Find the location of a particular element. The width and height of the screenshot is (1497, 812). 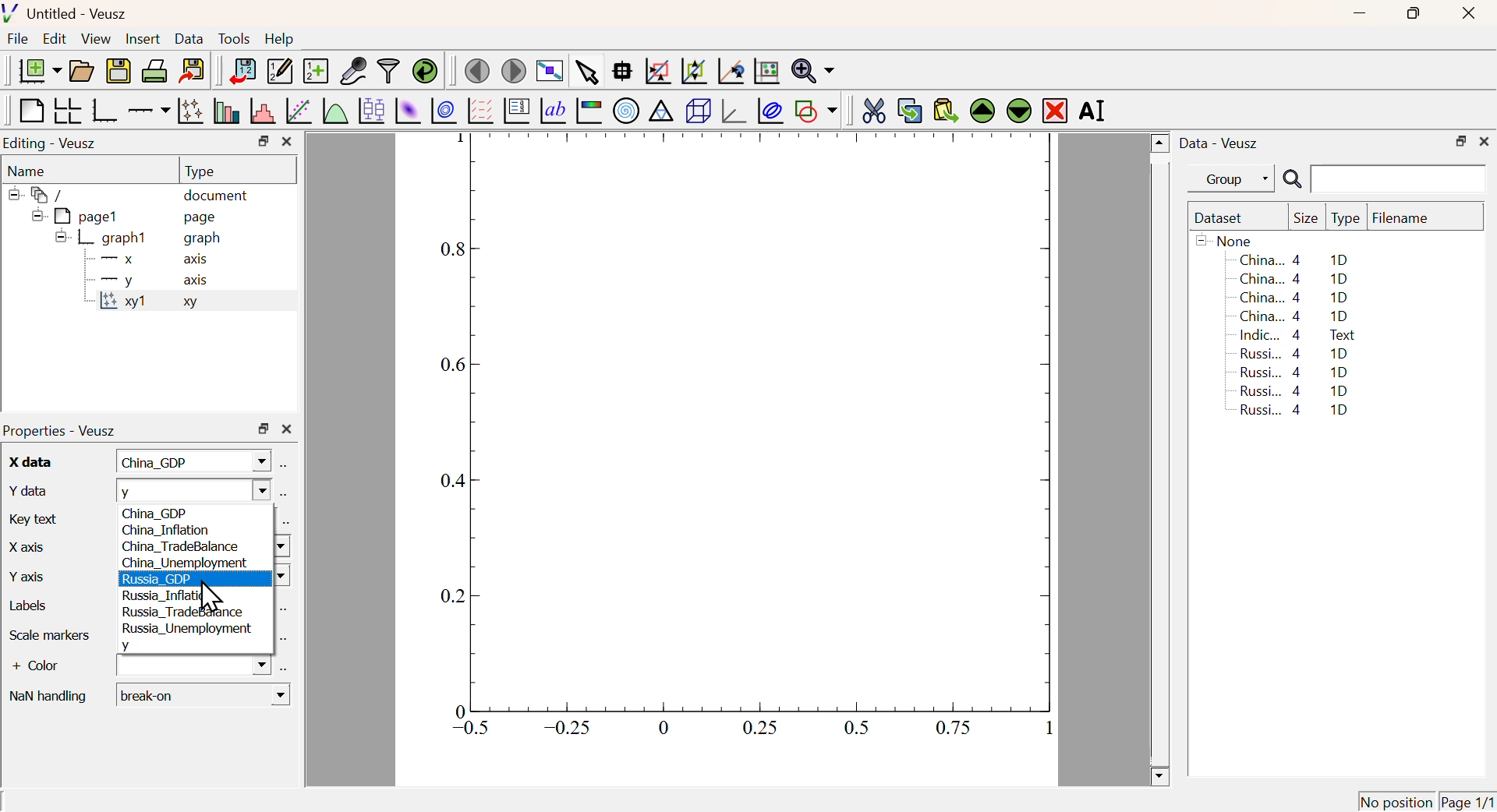

Plot Key is located at coordinates (515, 110).